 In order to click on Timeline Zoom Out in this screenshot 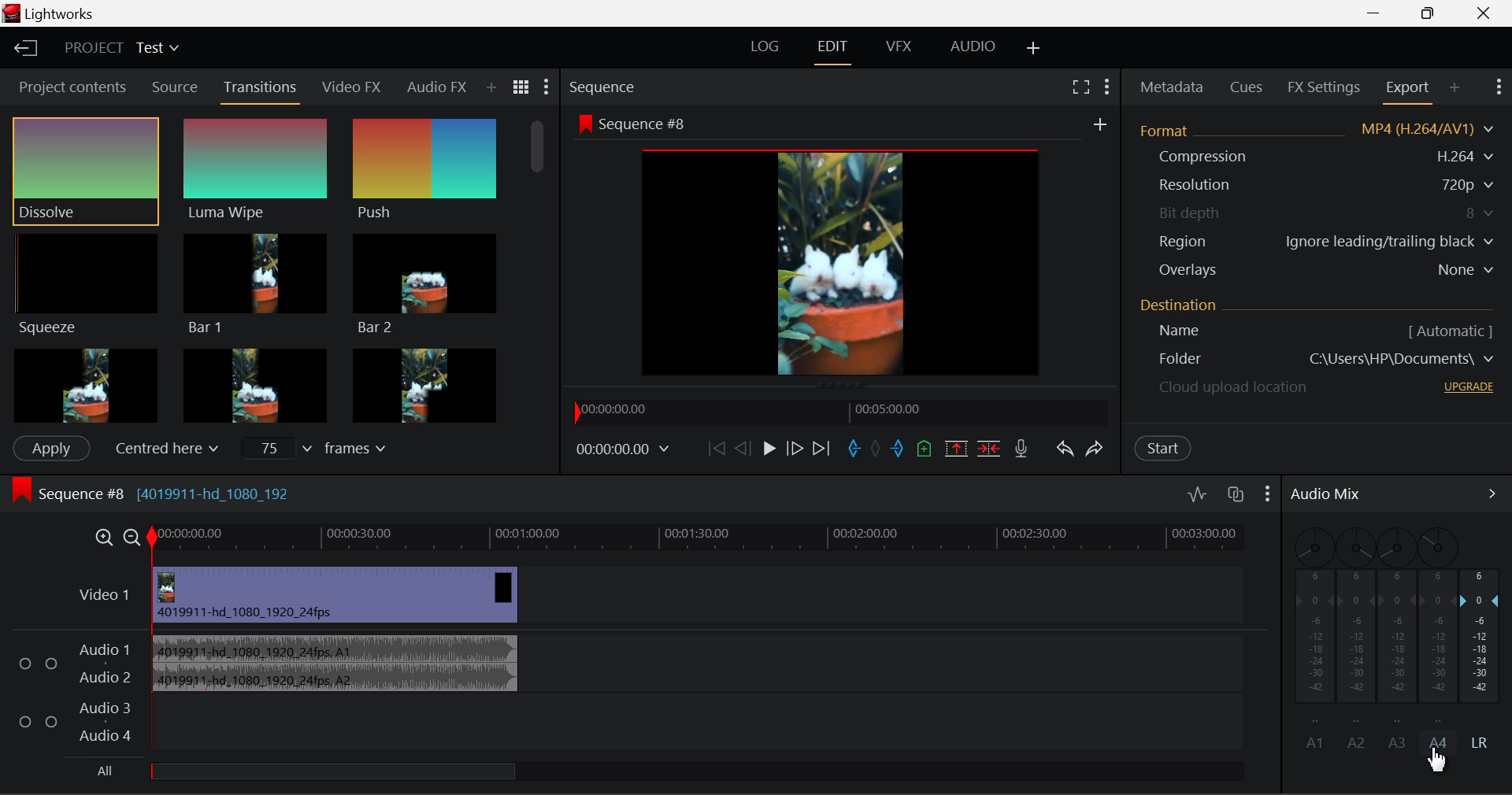, I will do `click(131, 538)`.